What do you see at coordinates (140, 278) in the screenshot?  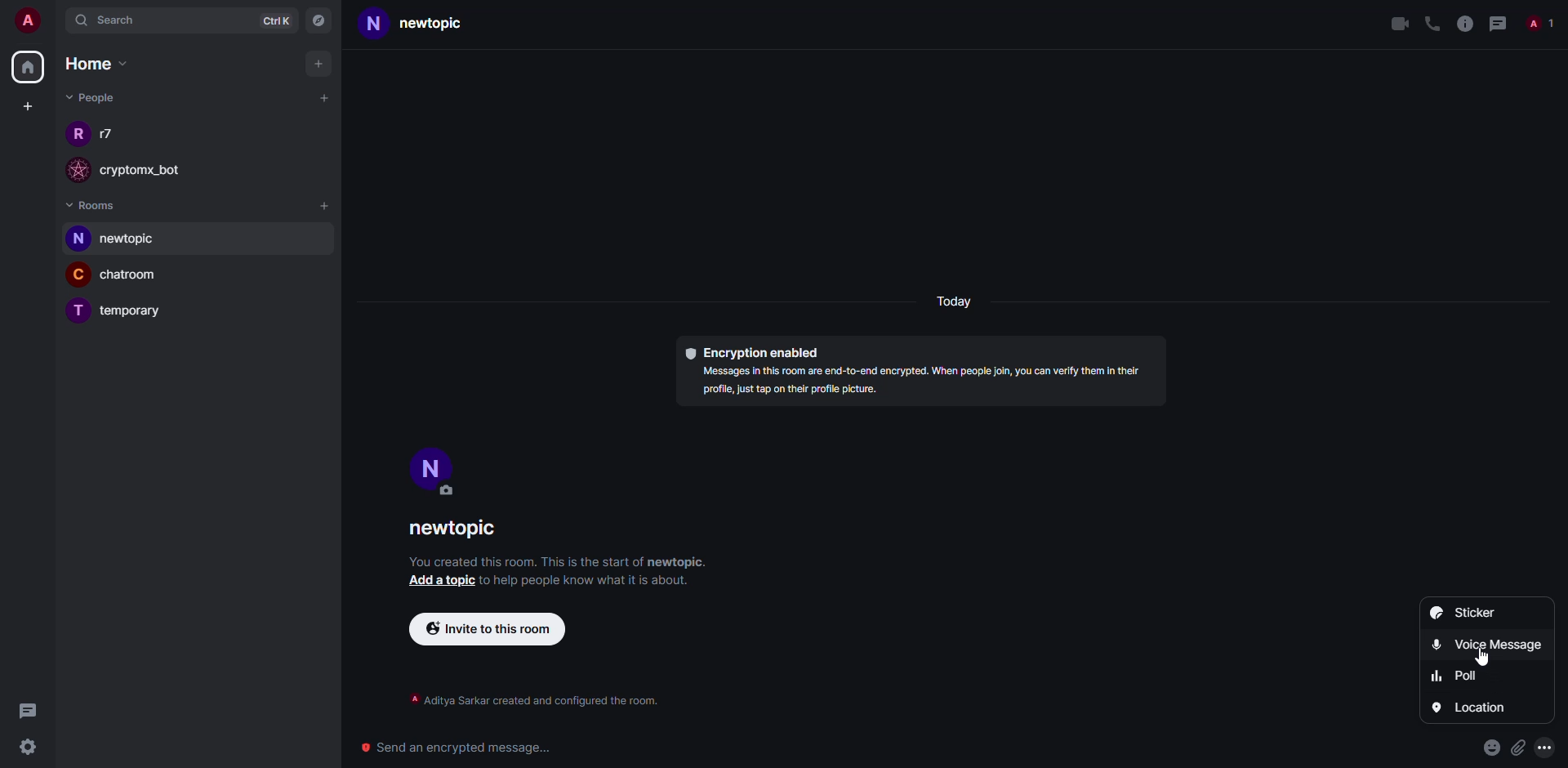 I see `room` at bounding box center [140, 278].